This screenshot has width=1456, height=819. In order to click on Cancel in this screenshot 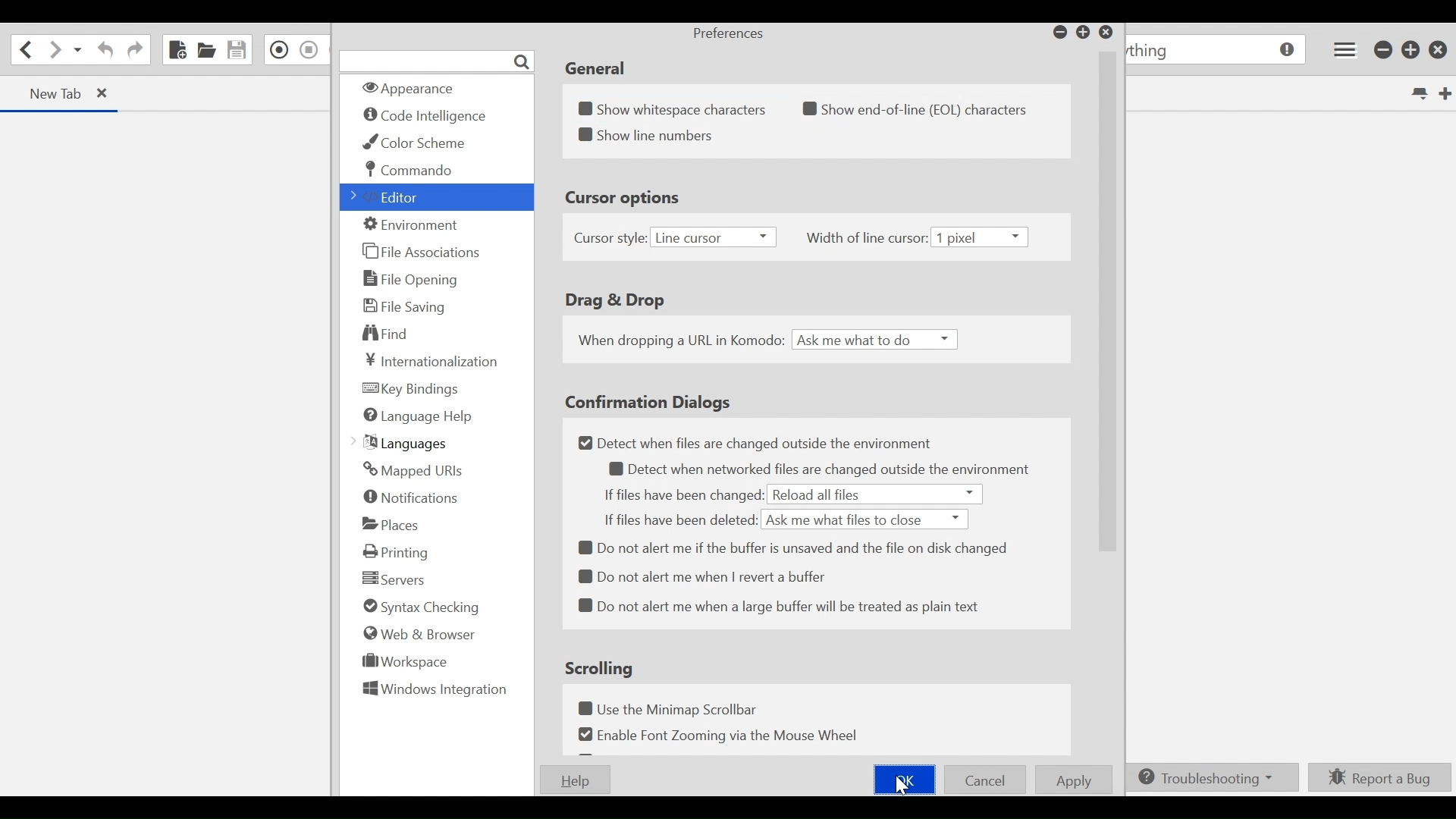, I will do `click(985, 779)`.